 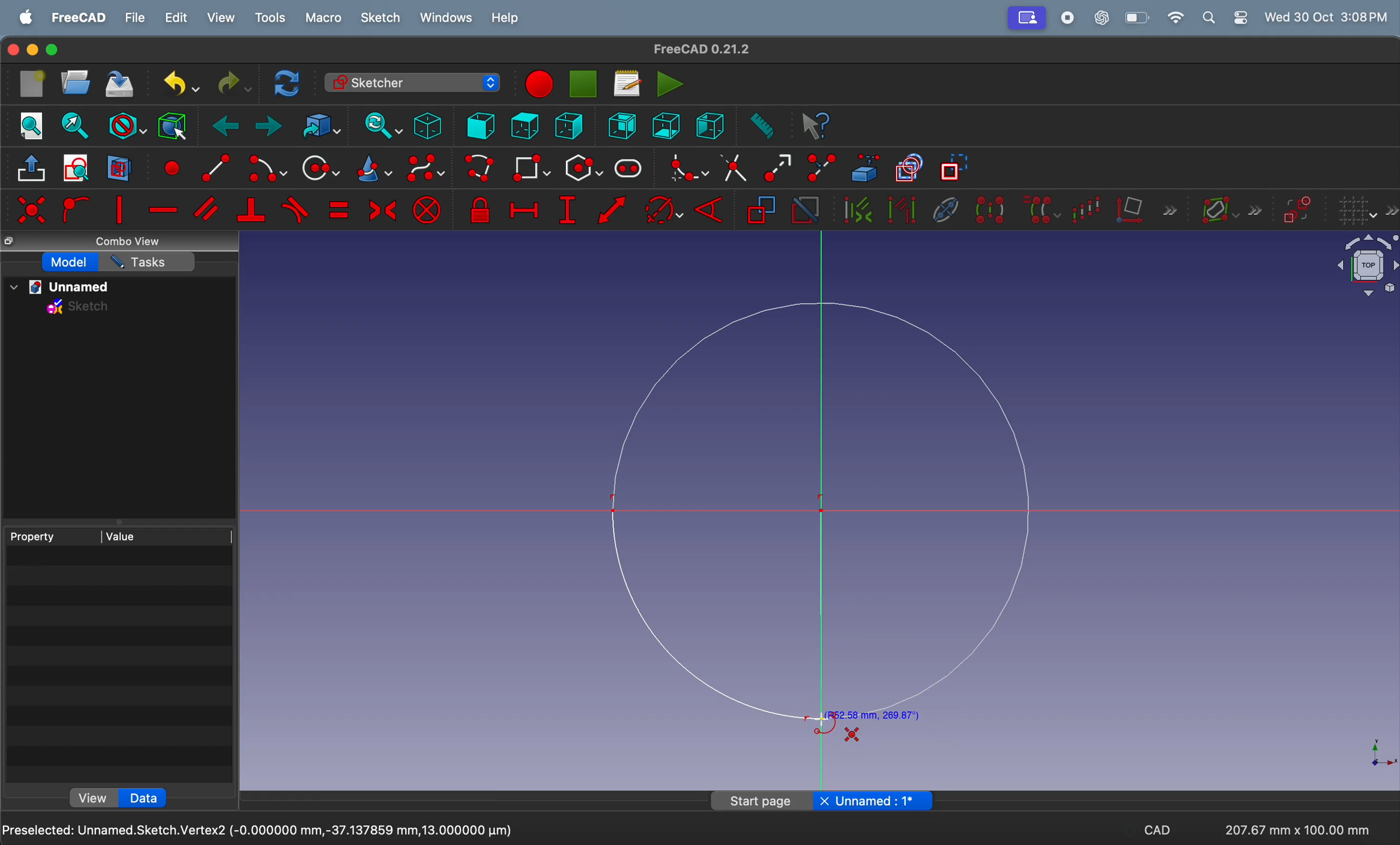 What do you see at coordinates (211, 166) in the screenshot?
I see `create arc` at bounding box center [211, 166].